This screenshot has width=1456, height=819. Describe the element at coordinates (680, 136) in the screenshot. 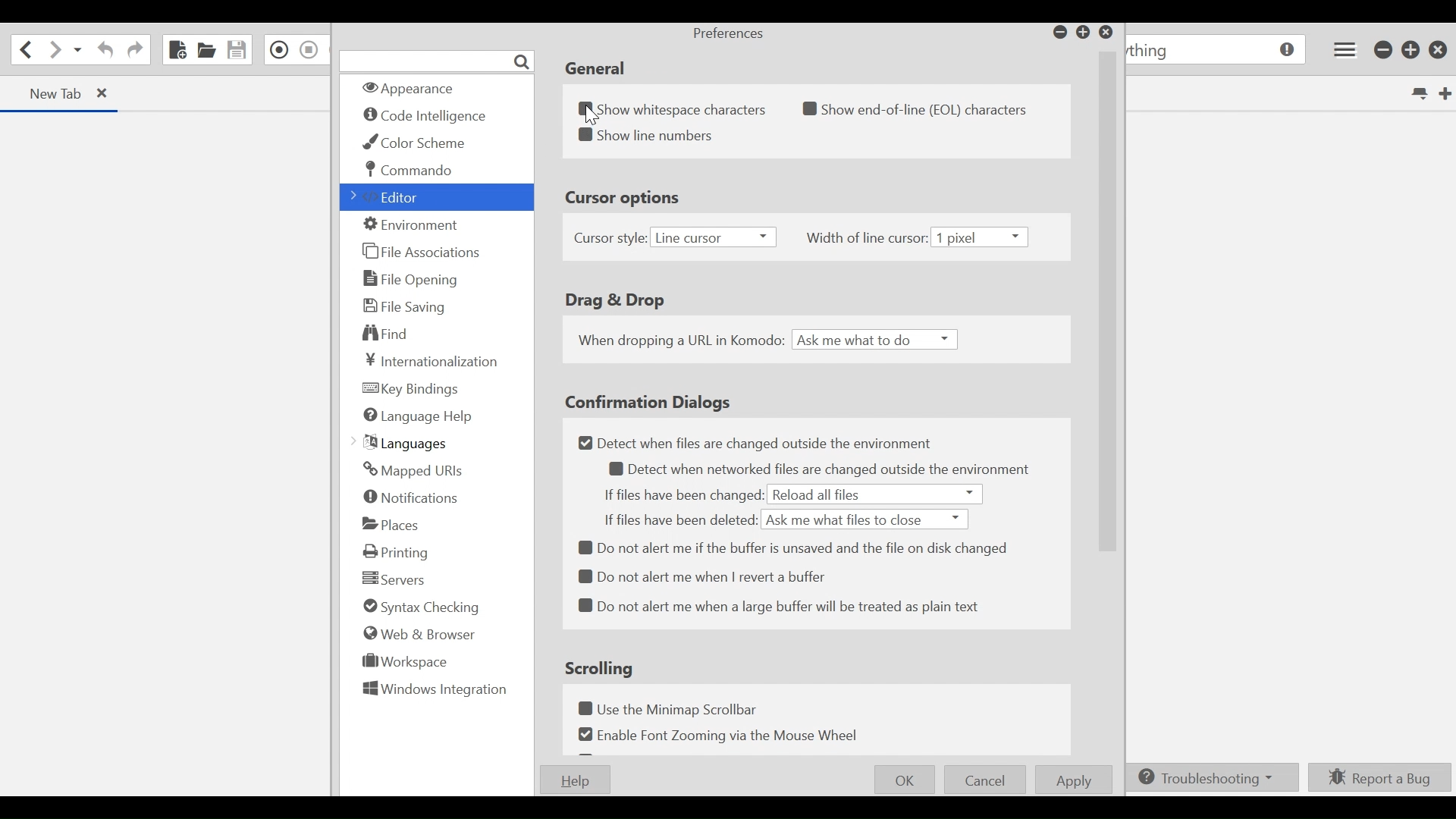

I see `Show line numbers` at that location.